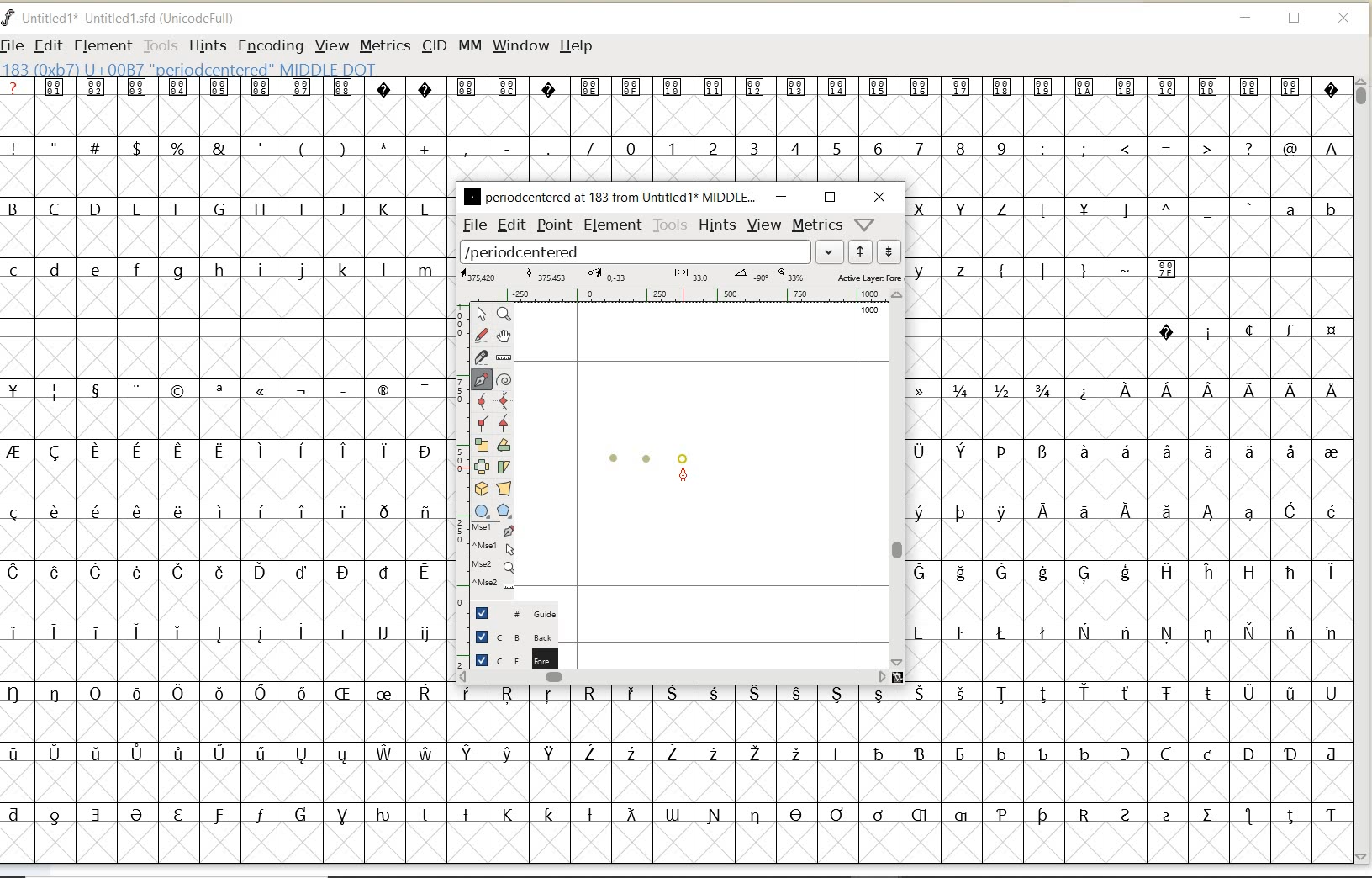 The image size is (1372, 878). What do you see at coordinates (481, 488) in the screenshot?
I see `rotate the selection in 3D and project back to plane` at bounding box center [481, 488].